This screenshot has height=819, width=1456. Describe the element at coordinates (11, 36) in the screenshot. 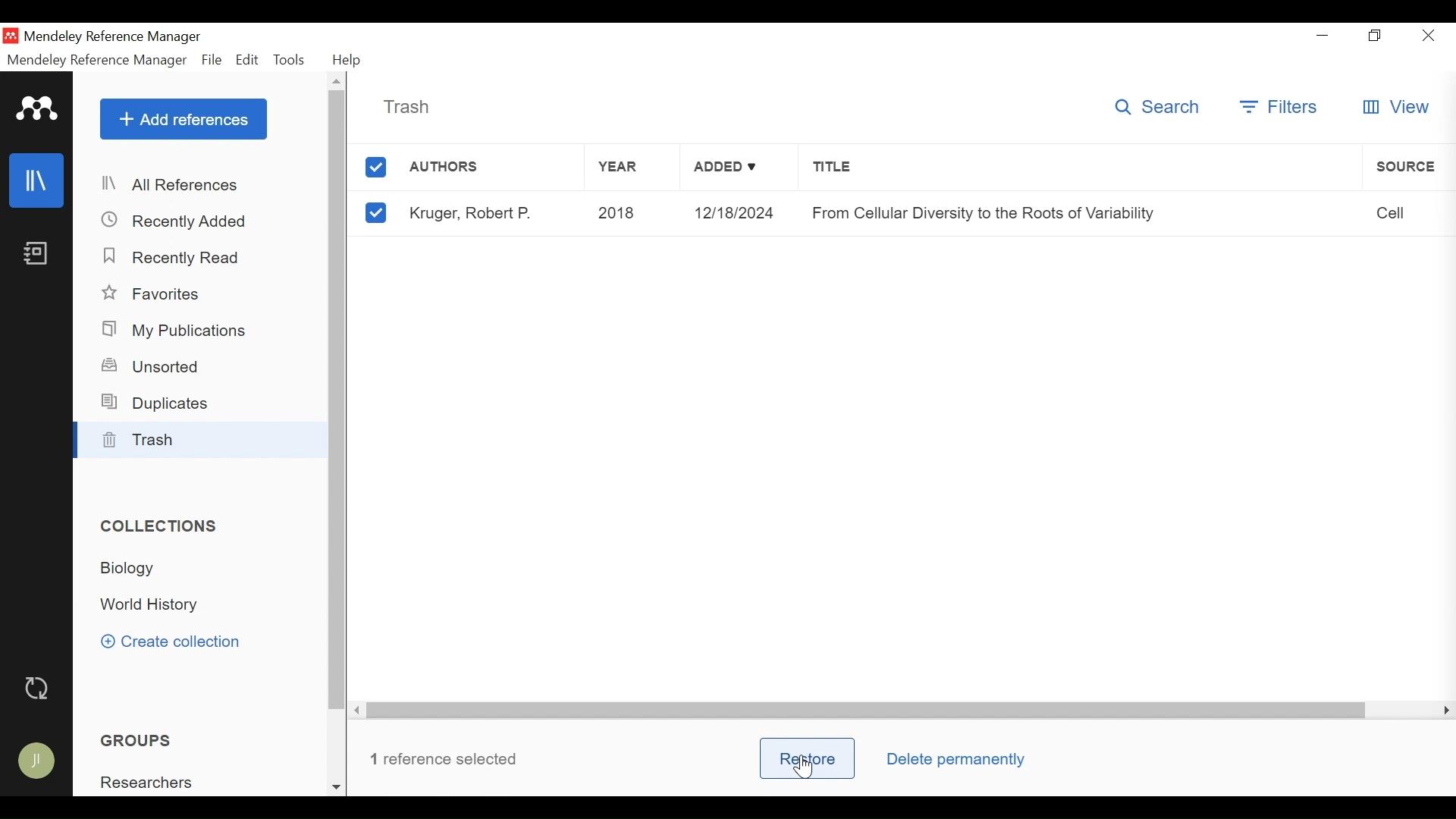

I see `Mendeley Desktop Icon` at that location.